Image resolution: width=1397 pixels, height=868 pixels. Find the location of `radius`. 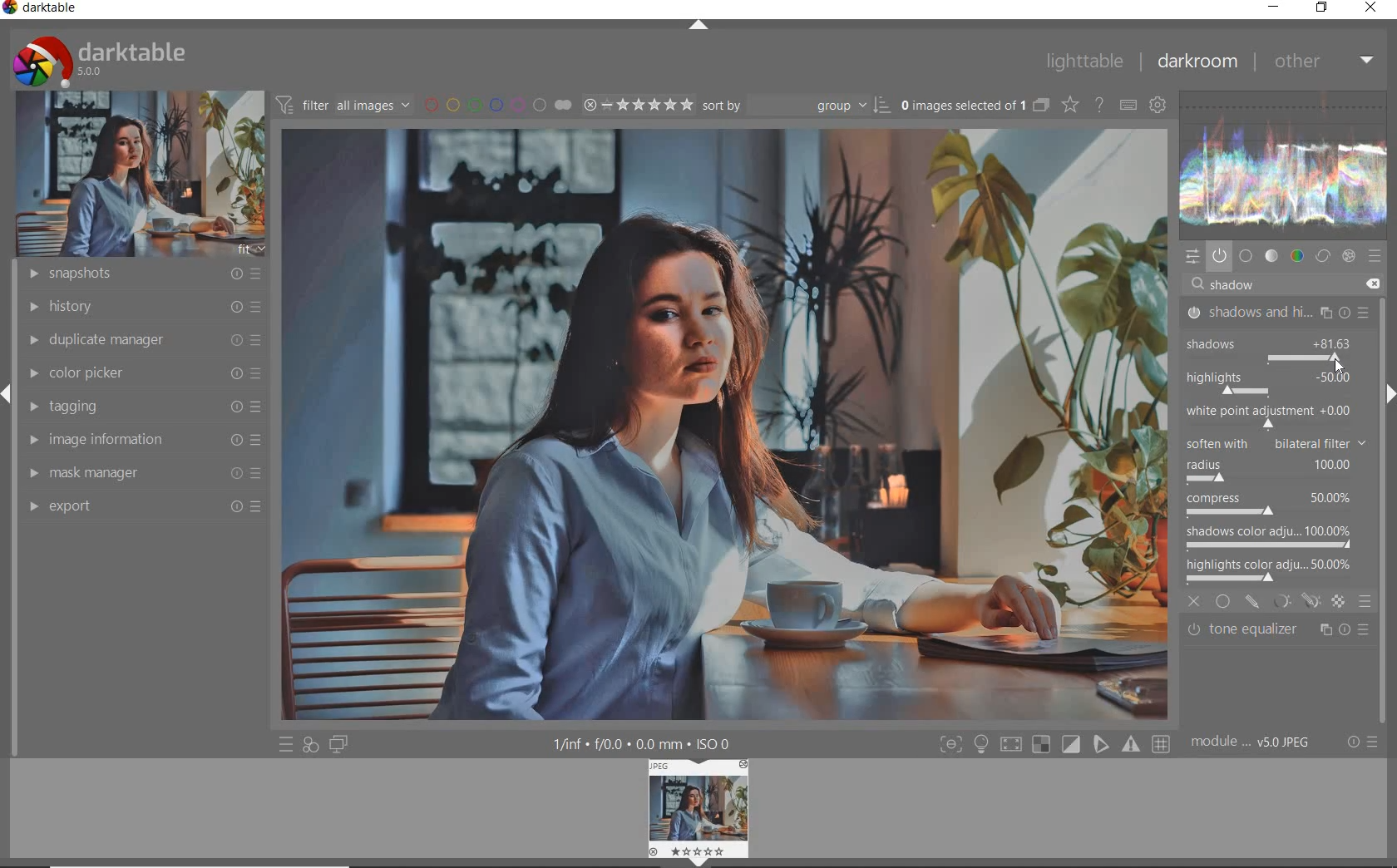

radius is located at coordinates (1268, 471).